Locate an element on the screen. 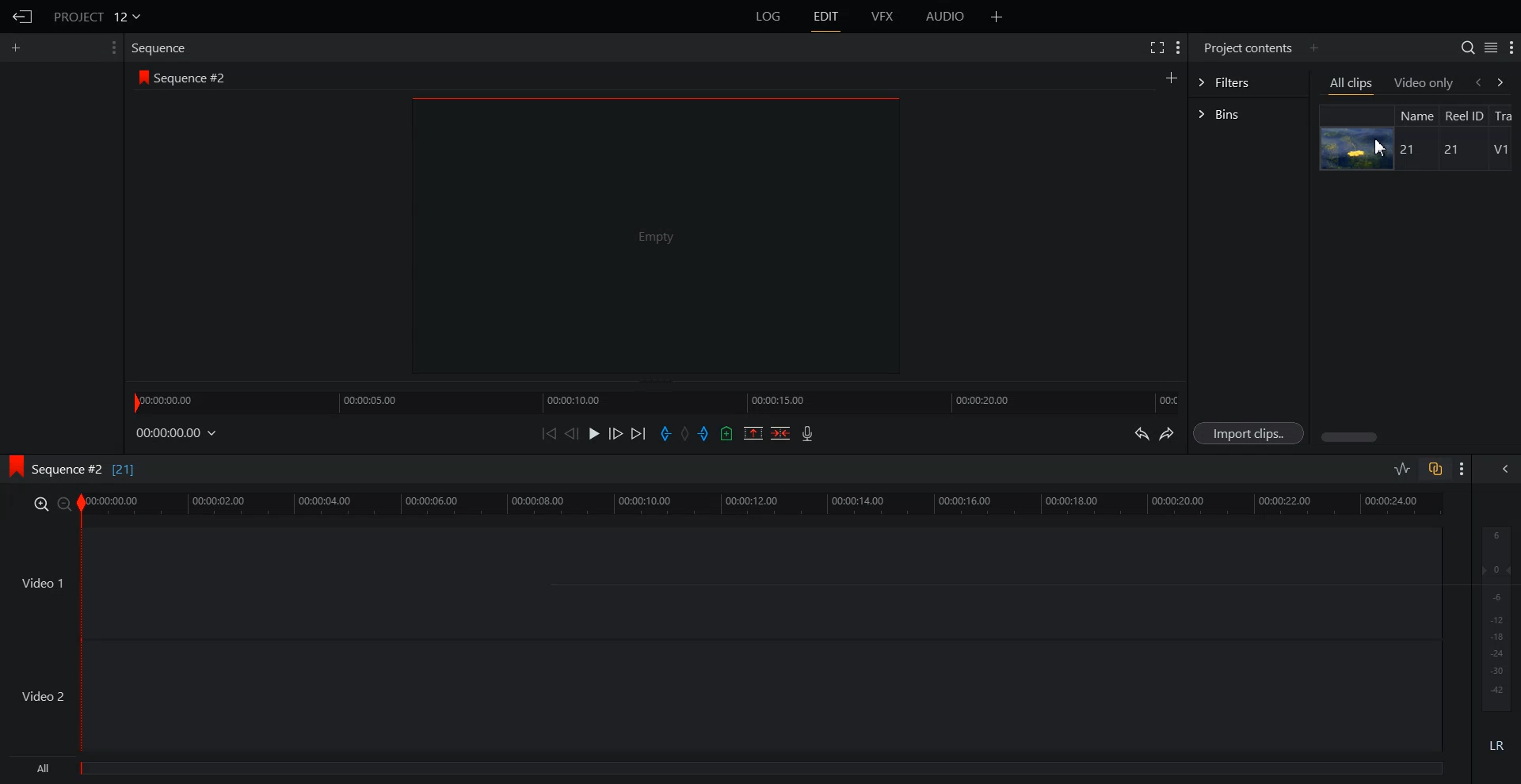 The height and width of the screenshot is (784, 1521). name is located at coordinates (1416, 115).